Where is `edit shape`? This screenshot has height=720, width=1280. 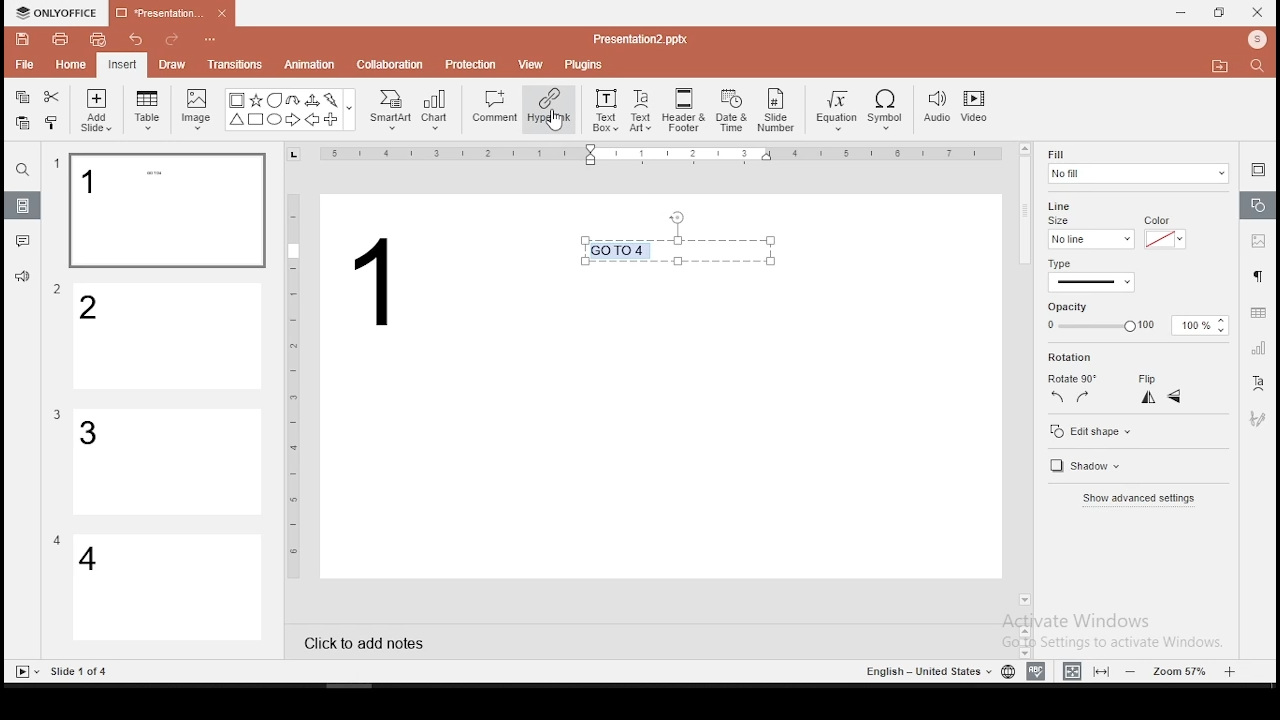
edit shape is located at coordinates (1089, 431).